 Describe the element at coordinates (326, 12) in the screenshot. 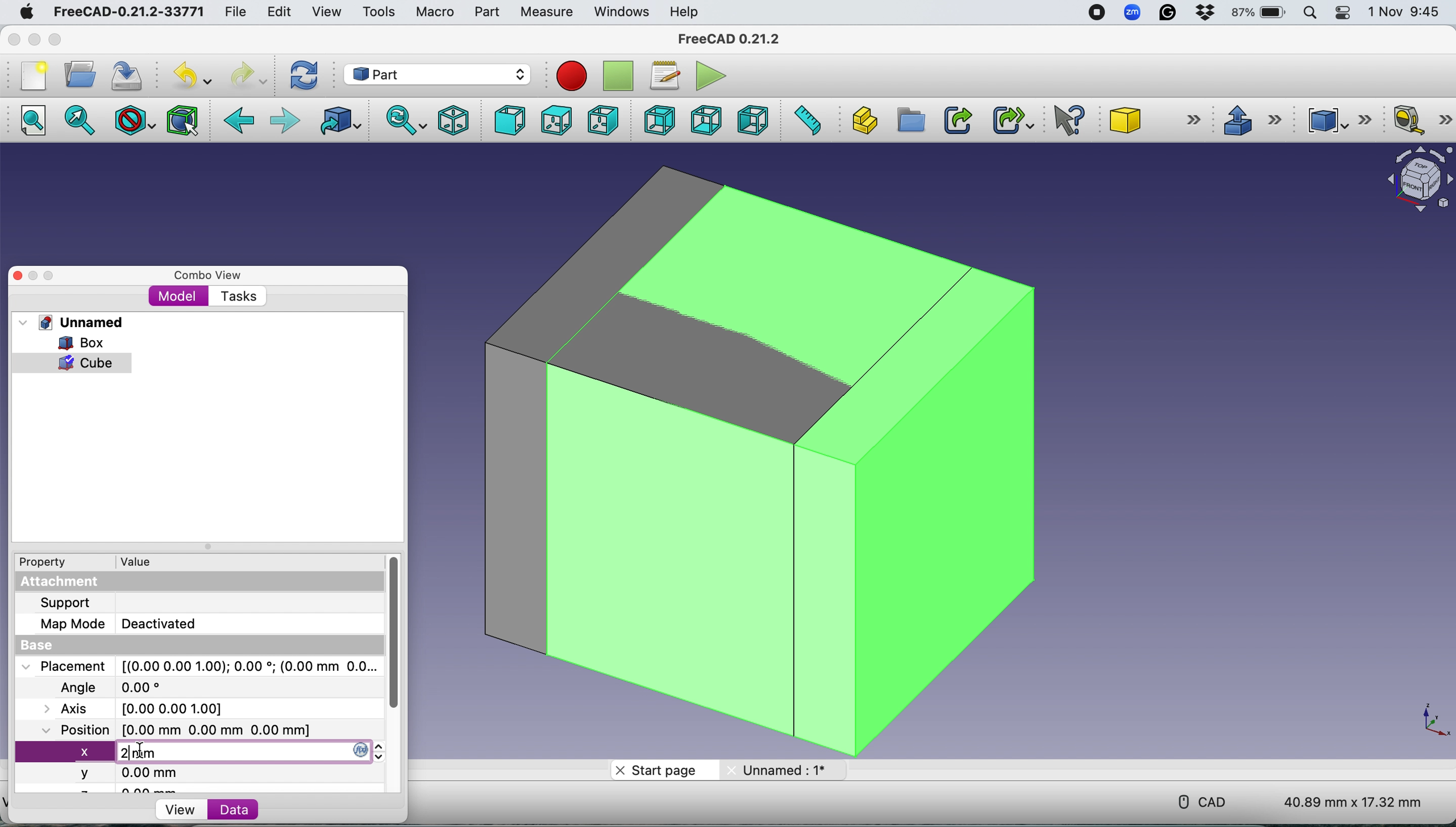

I see `View` at that location.